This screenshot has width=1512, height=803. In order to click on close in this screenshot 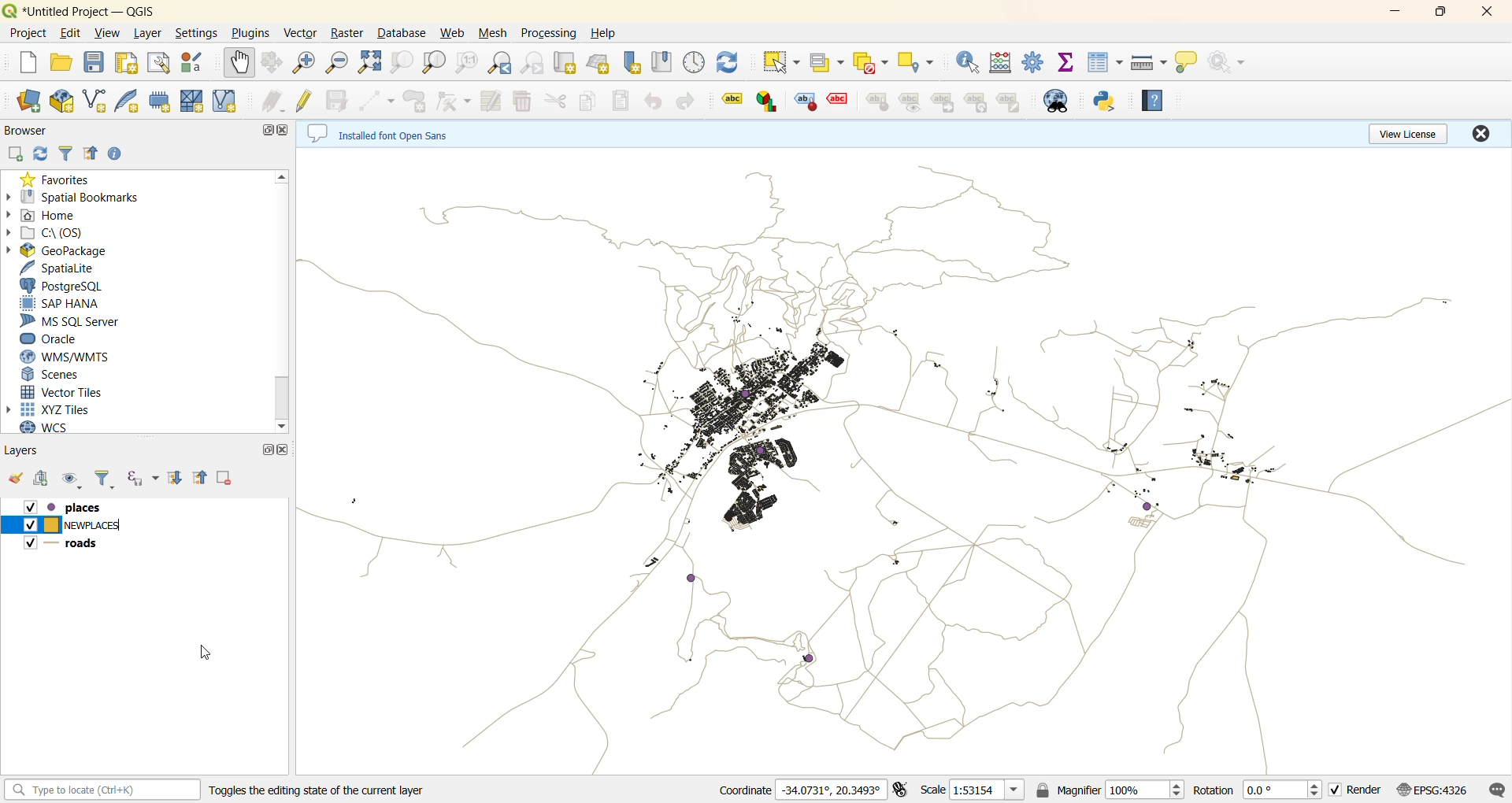, I will do `click(1486, 13)`.